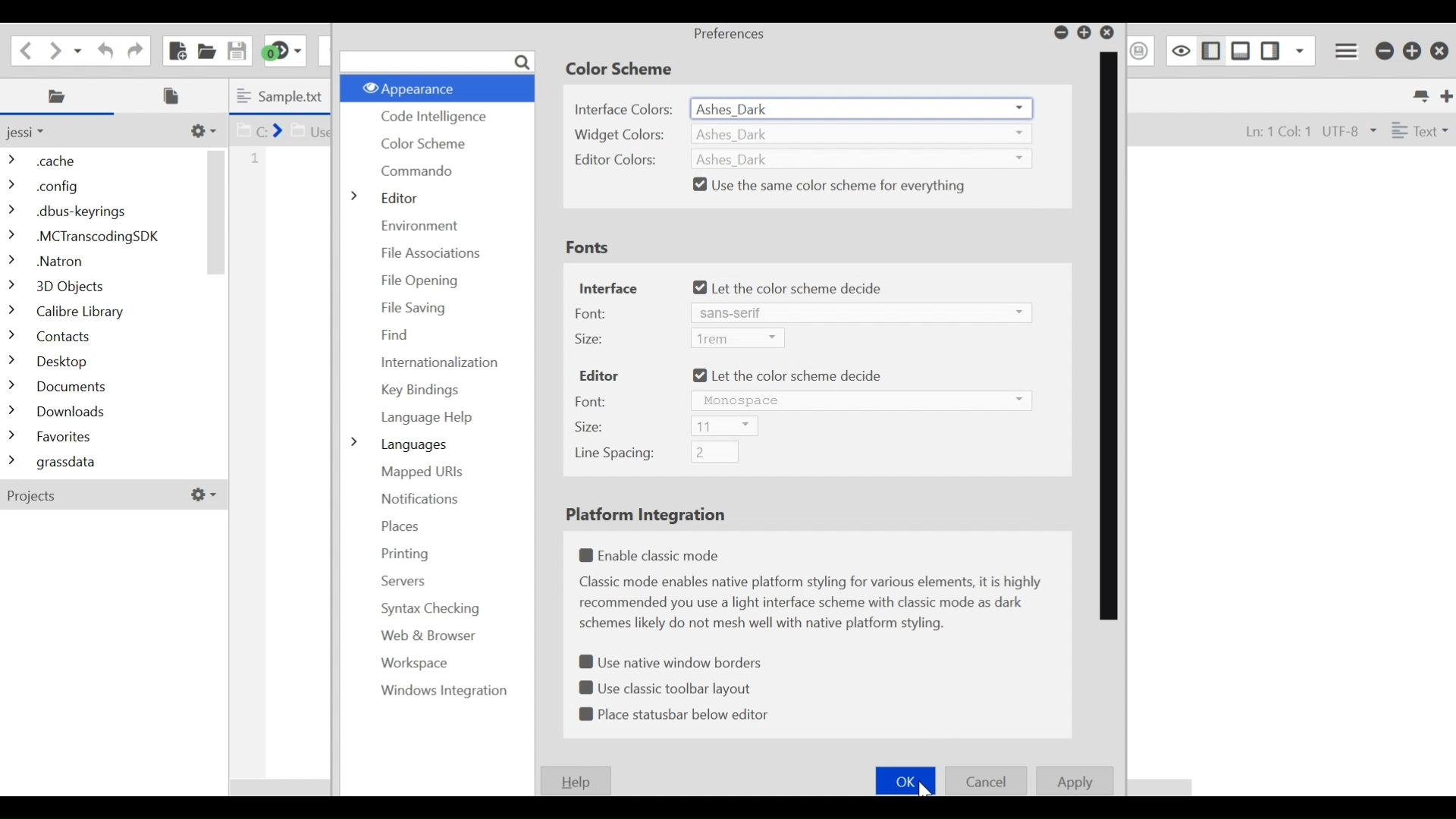 The width and height of the screenshot is (1456, 819). Describe the element at coordinates (26, 49) in the screenshot. I see `Go back one location` at that location.